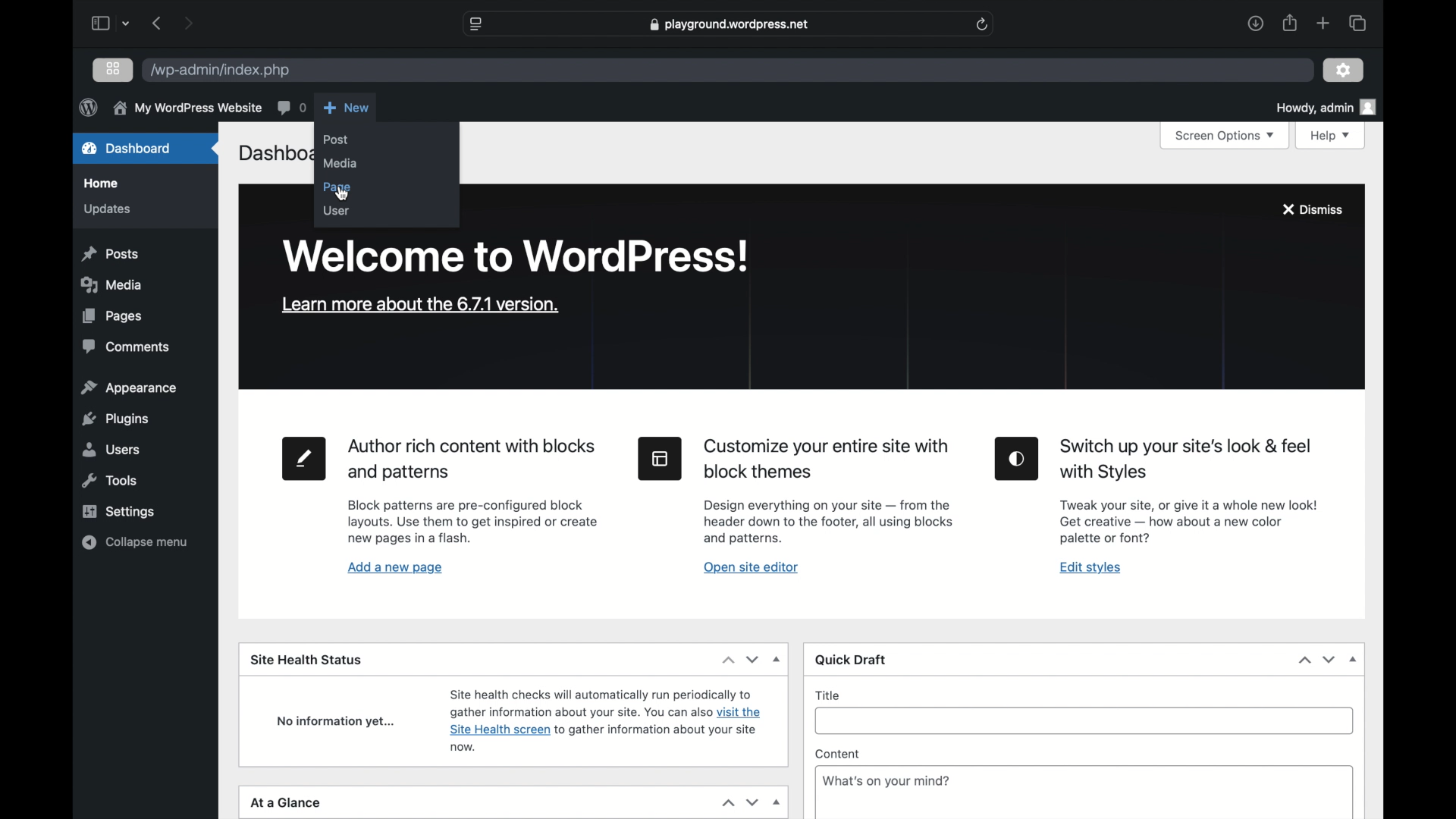 Image resolution: width=1456 pixels, height=819 pixels. What do you see at coordinates (1188, 522) in the screenshot?
I see `Edit styles tool information` at bounding box center [1188, 522].